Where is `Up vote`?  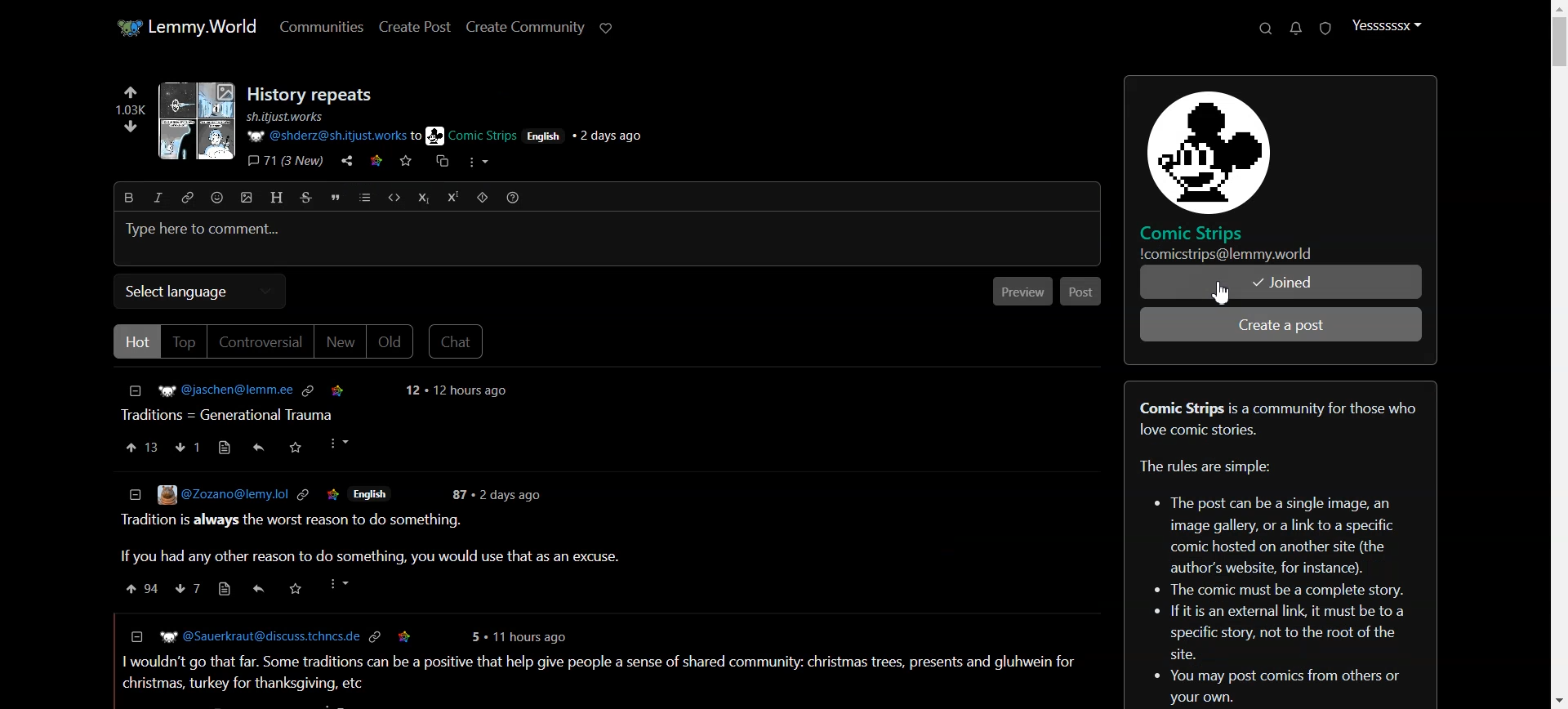 Up vote is located at coordinates (127, 120).